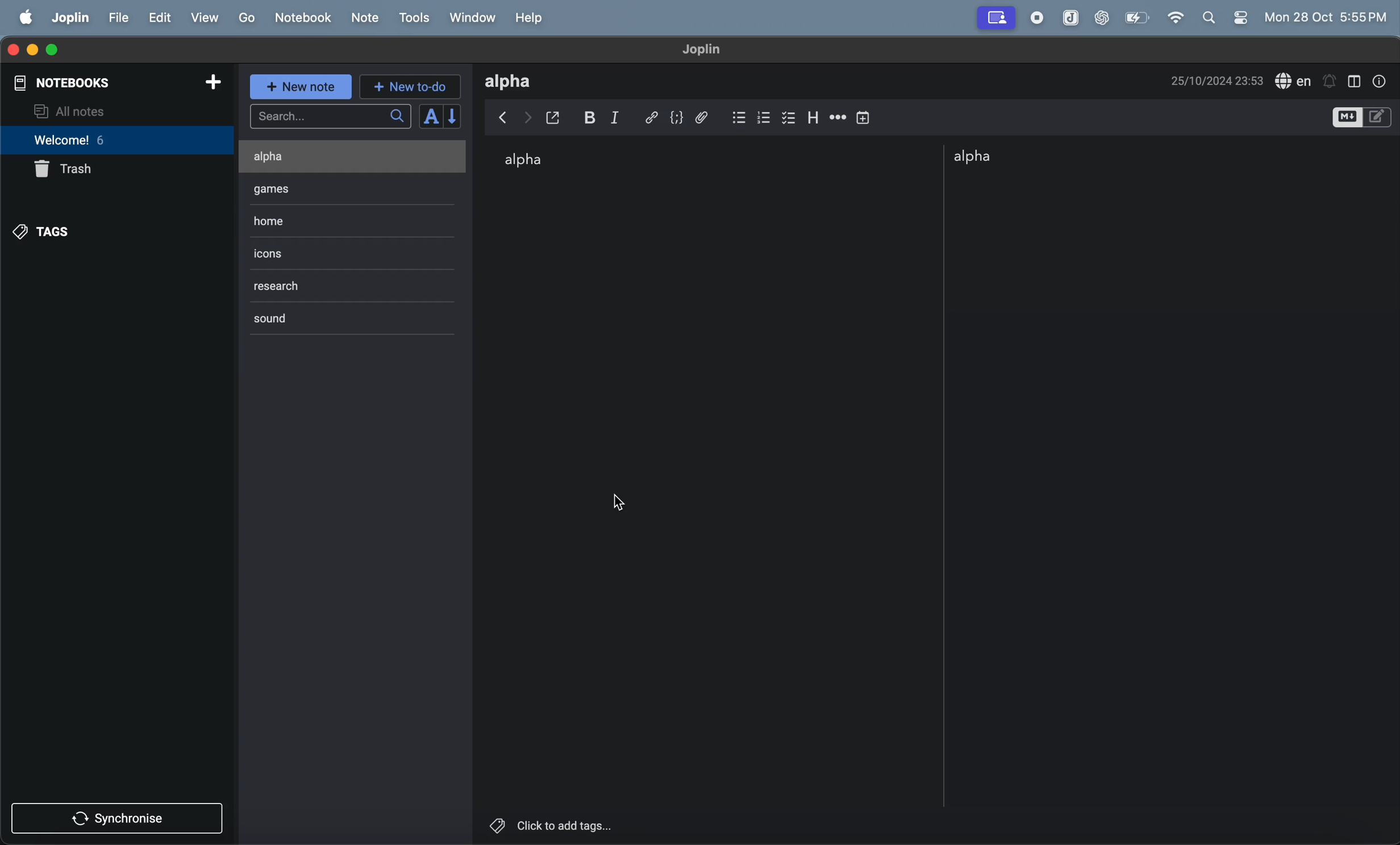 Image resolution: width=1400 pixels, height=845 pixels. Describe the element at coordinates (653, 116) in the screenshot. I see `hyper link` at that location.